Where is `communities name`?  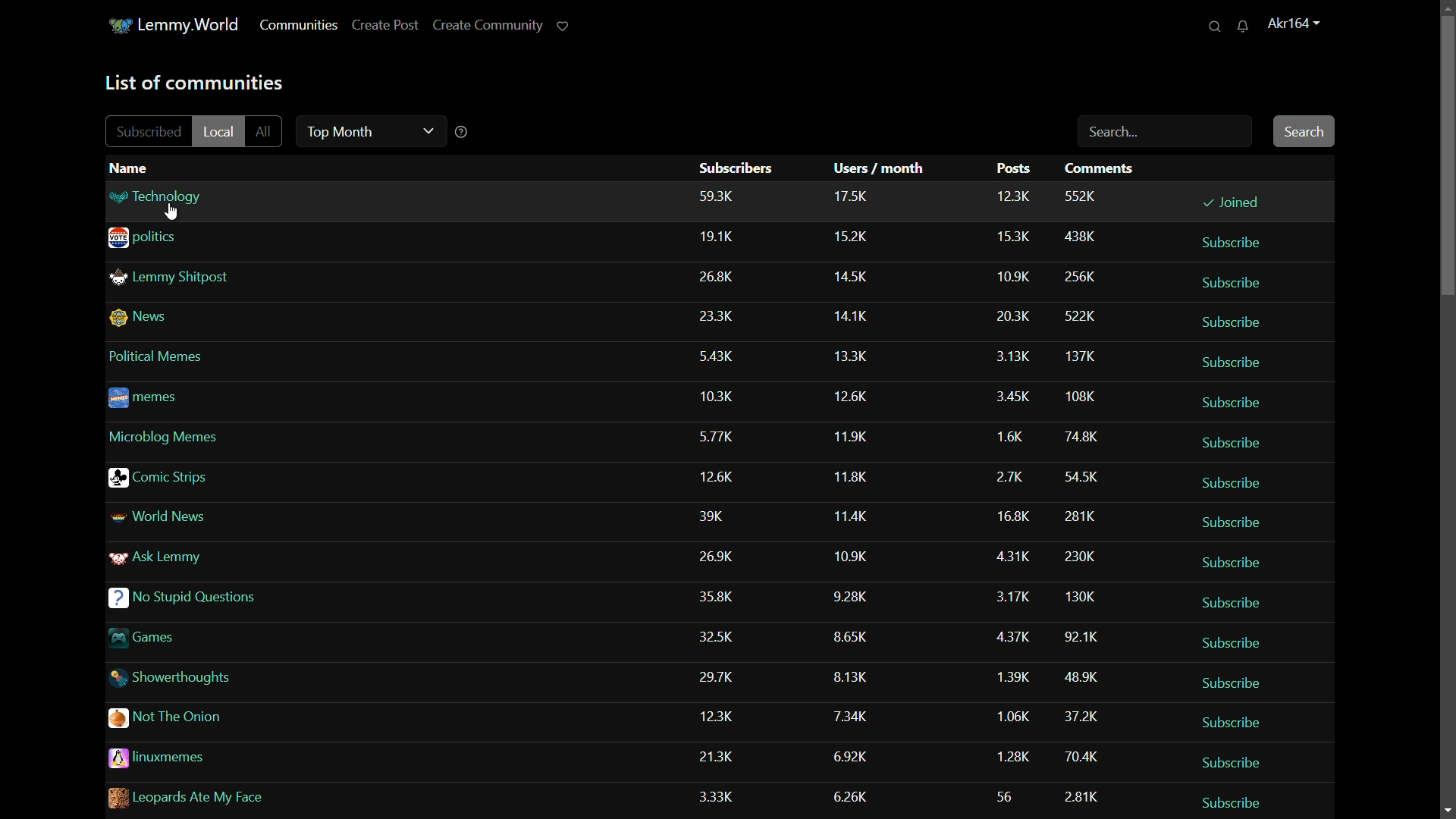 communities name is located at coordinates (193, 596).